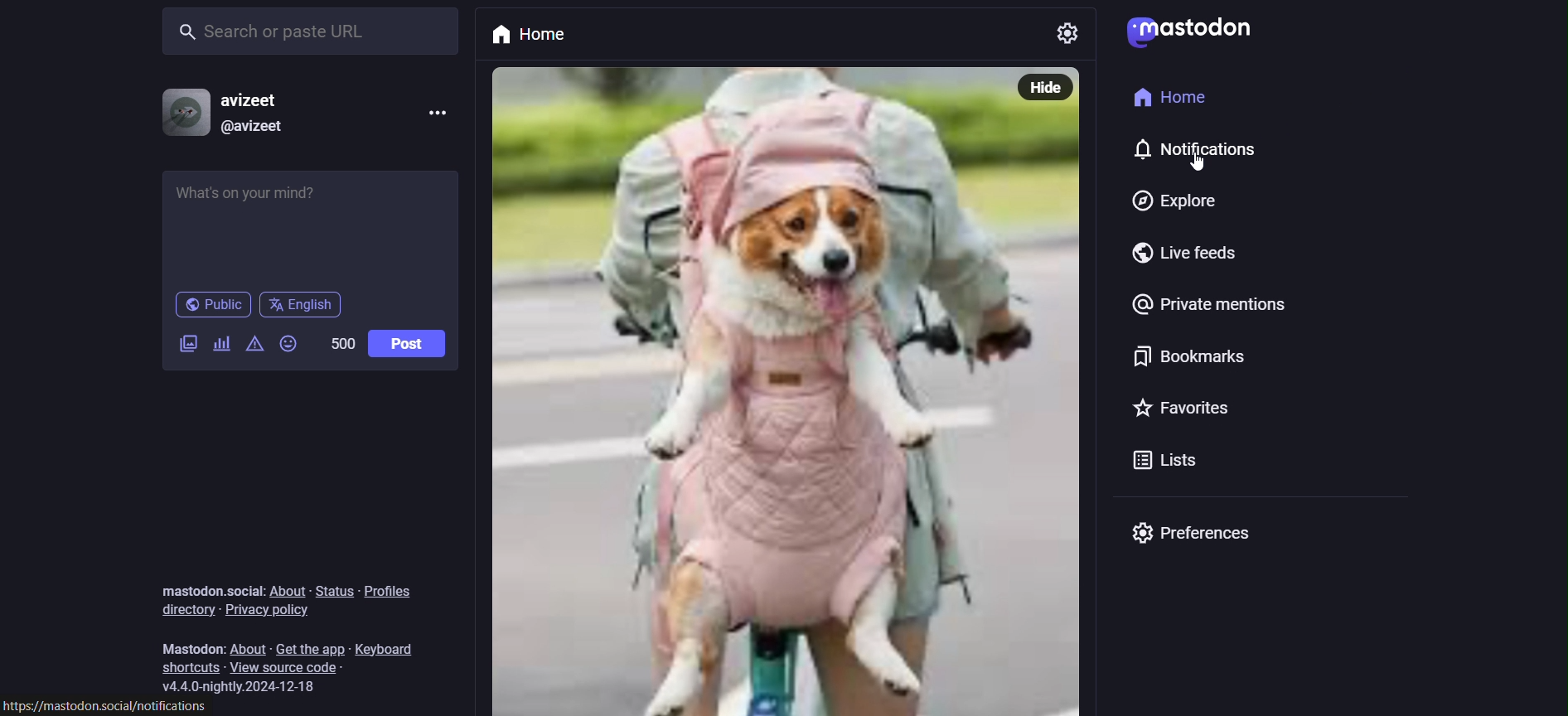  I want to click on search, so click(314, 30).